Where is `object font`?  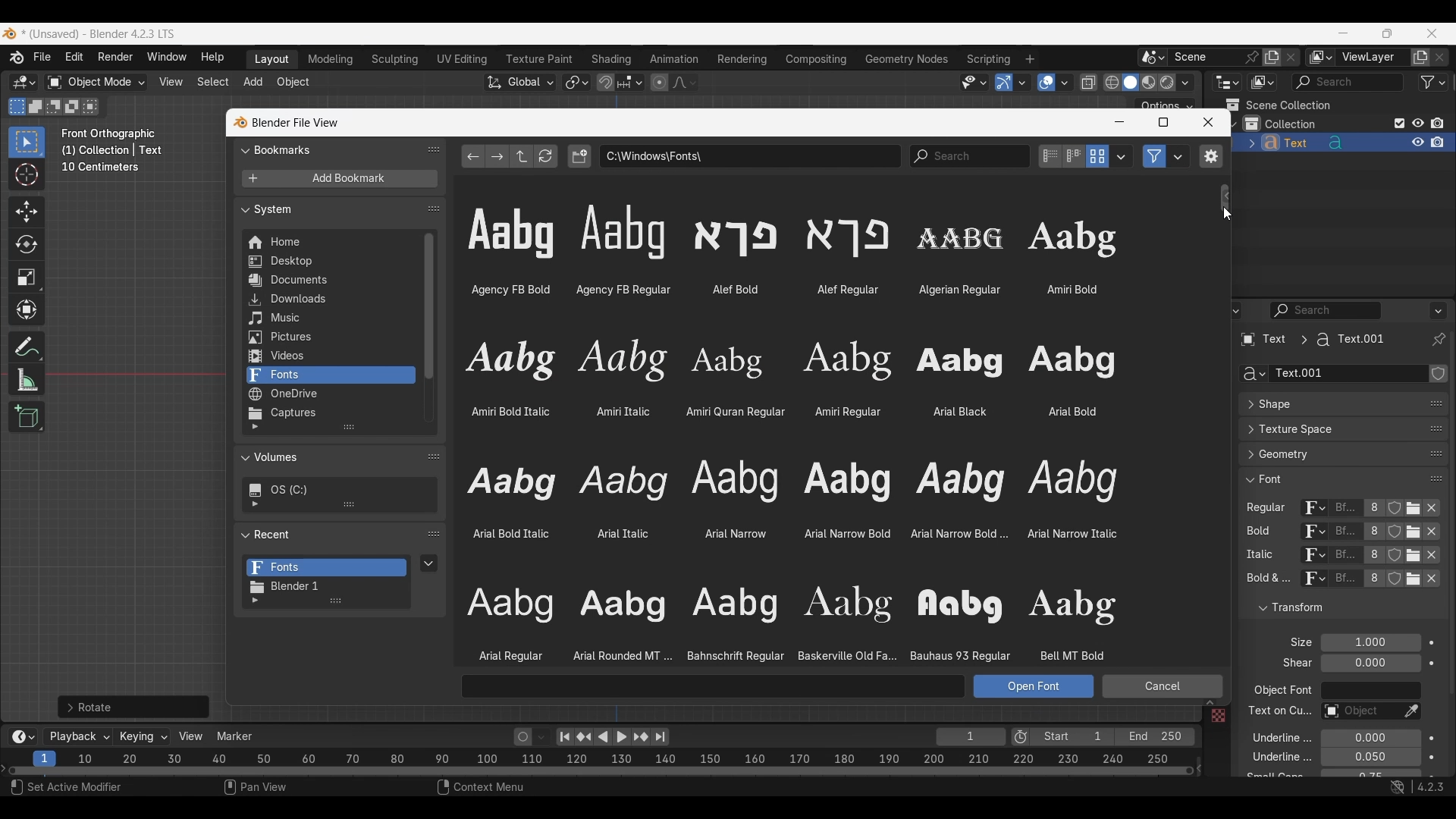
object font is located at coordinates (1282, 692).